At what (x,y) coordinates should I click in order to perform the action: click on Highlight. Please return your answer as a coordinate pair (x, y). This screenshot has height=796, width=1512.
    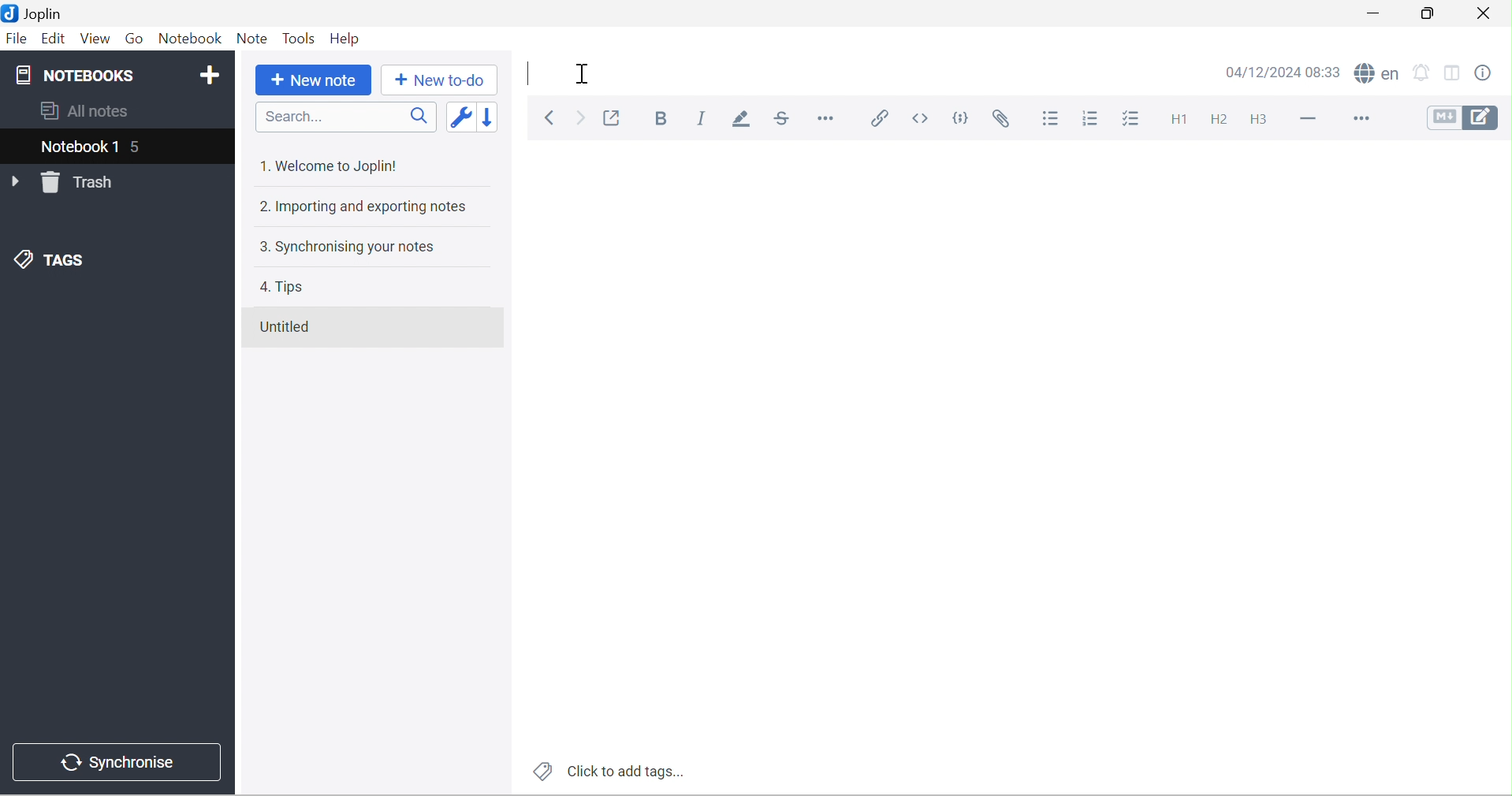
    Looking at the image, I should click on (744, 120).